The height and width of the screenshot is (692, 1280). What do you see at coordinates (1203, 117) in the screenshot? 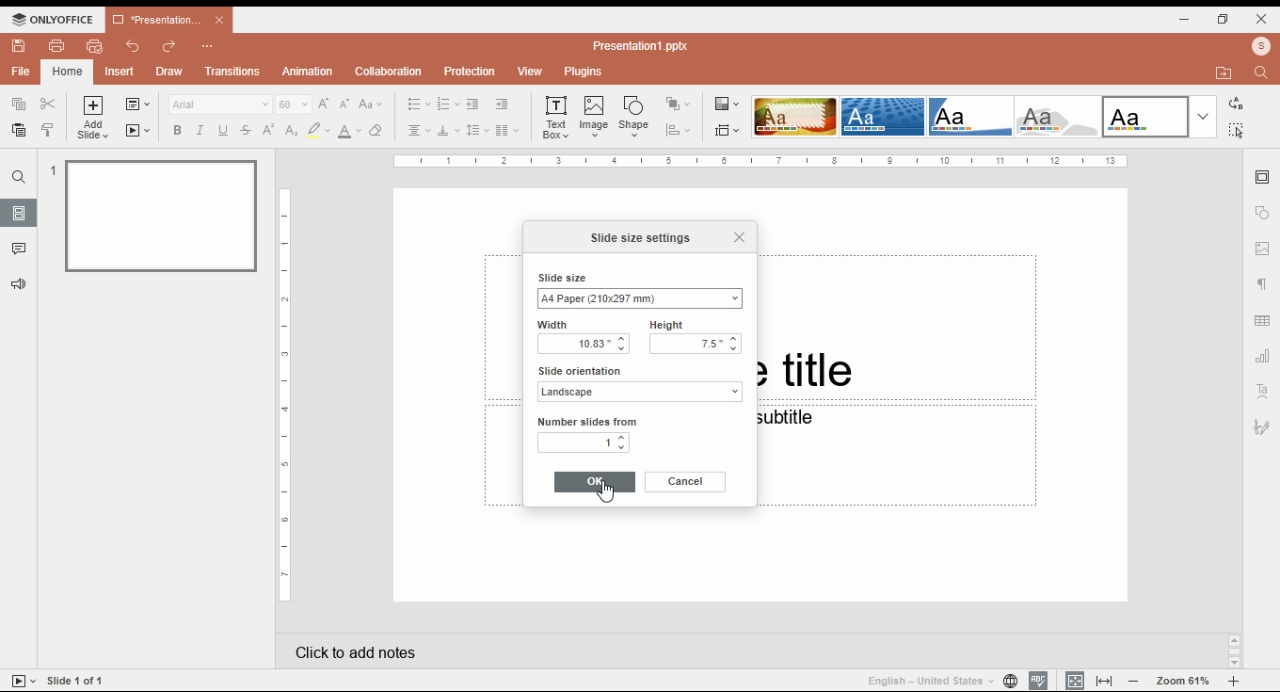
I see `more slide theme options` at bounding box center [1203, 117].